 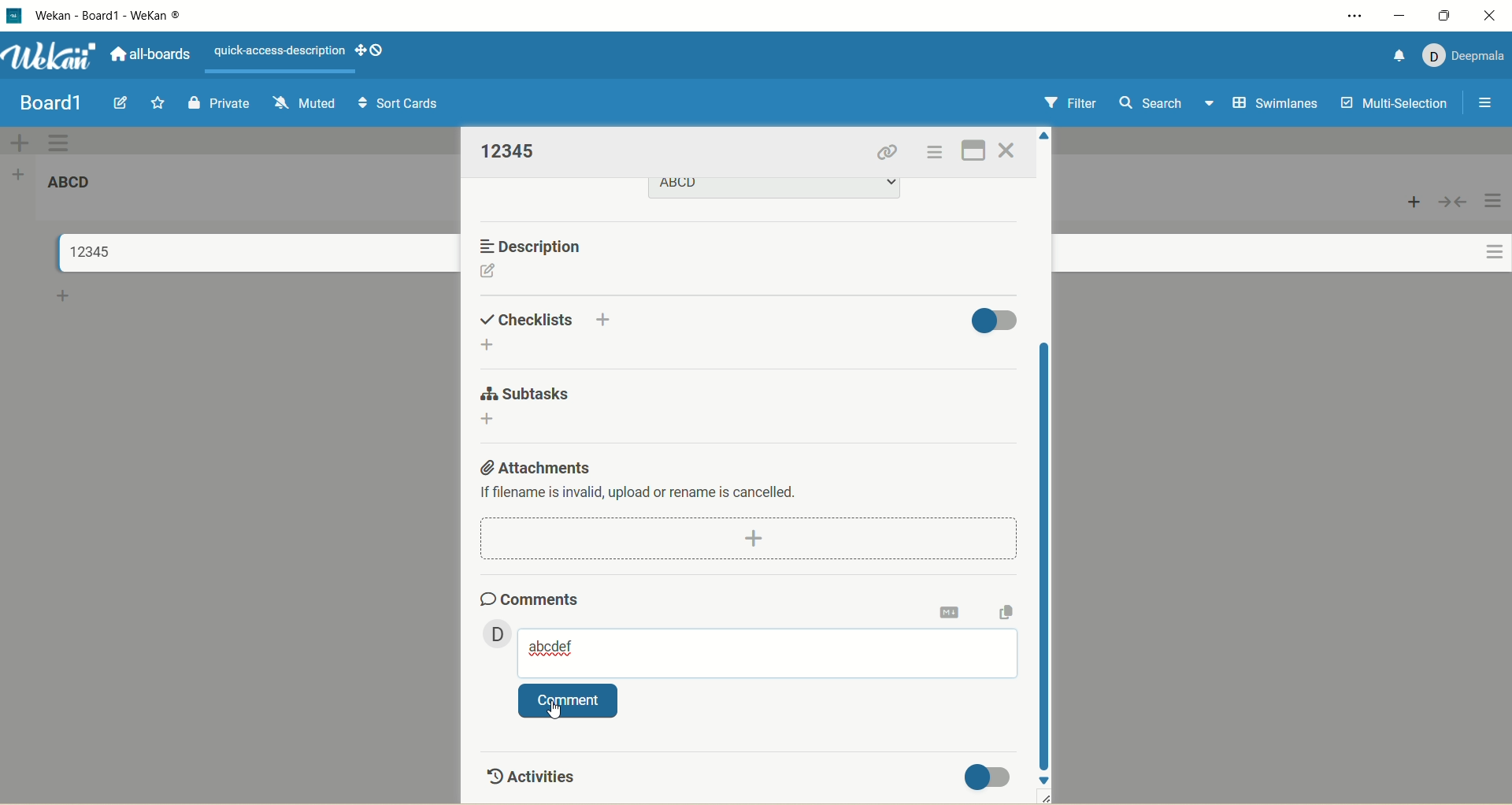 I want to click on edit, so click(x=487, y=273).